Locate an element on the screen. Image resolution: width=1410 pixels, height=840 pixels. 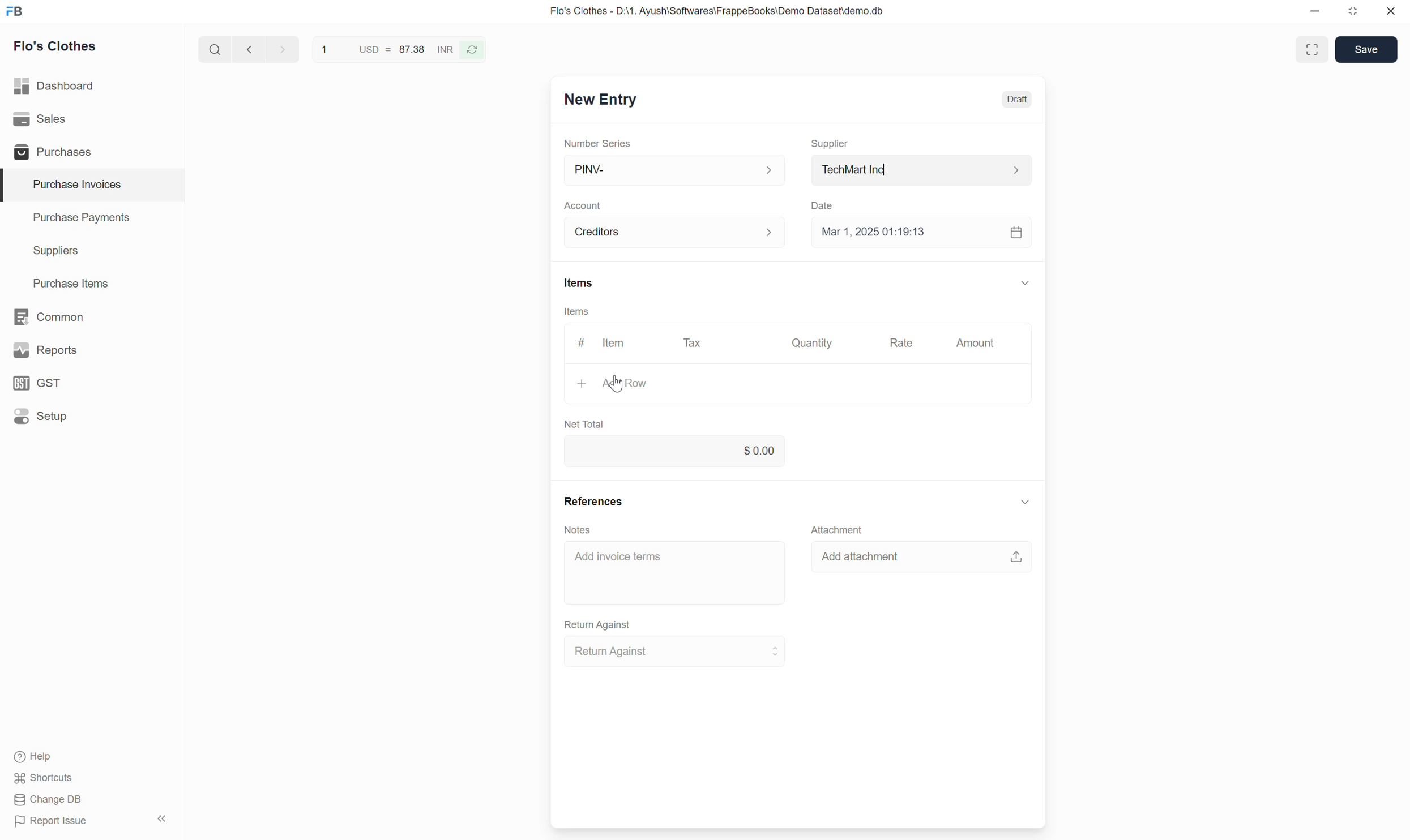
PINV- is located at coordinates (670, 170).